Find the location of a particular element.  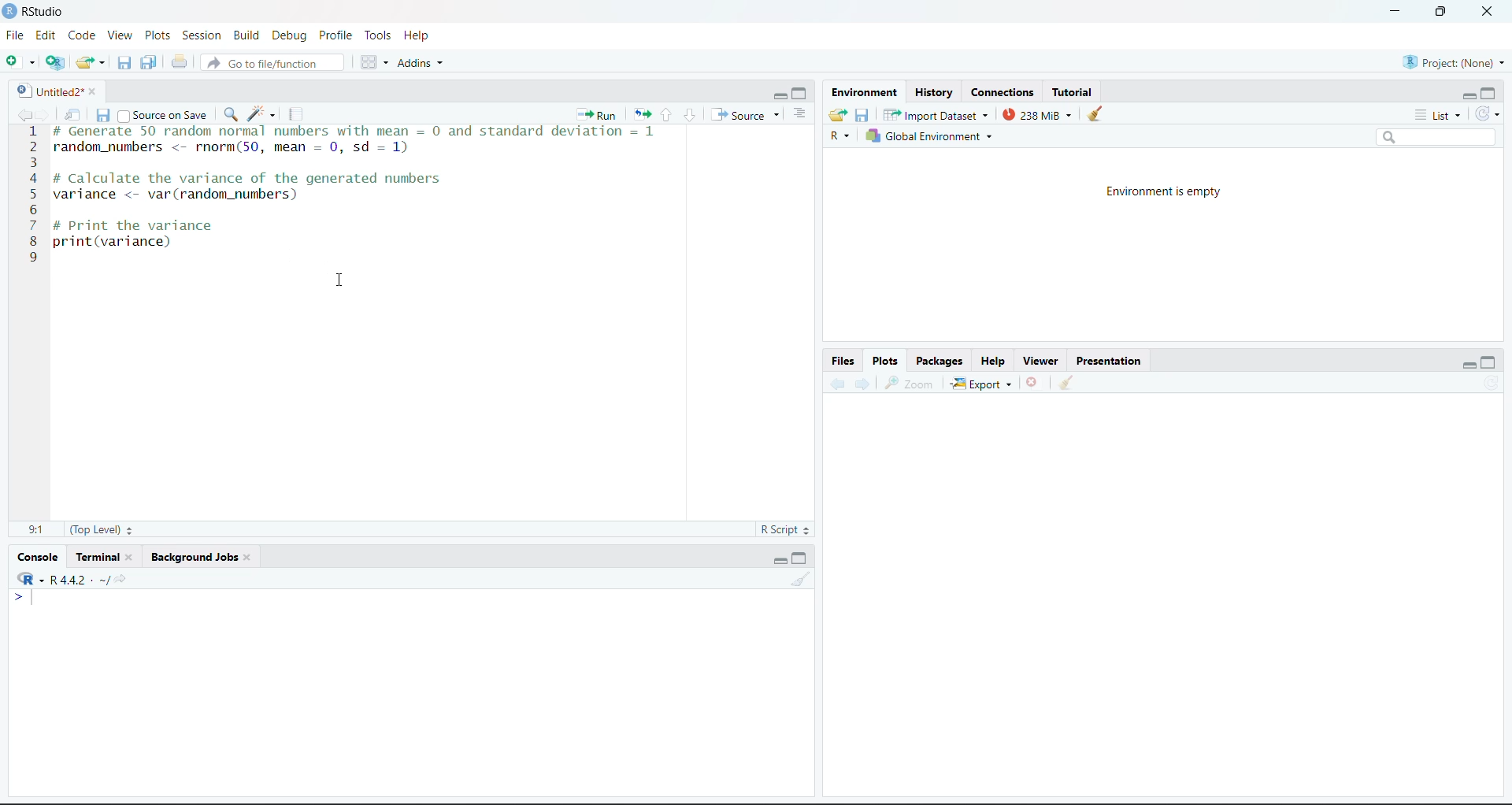

up is located at coordinates (666, 115).